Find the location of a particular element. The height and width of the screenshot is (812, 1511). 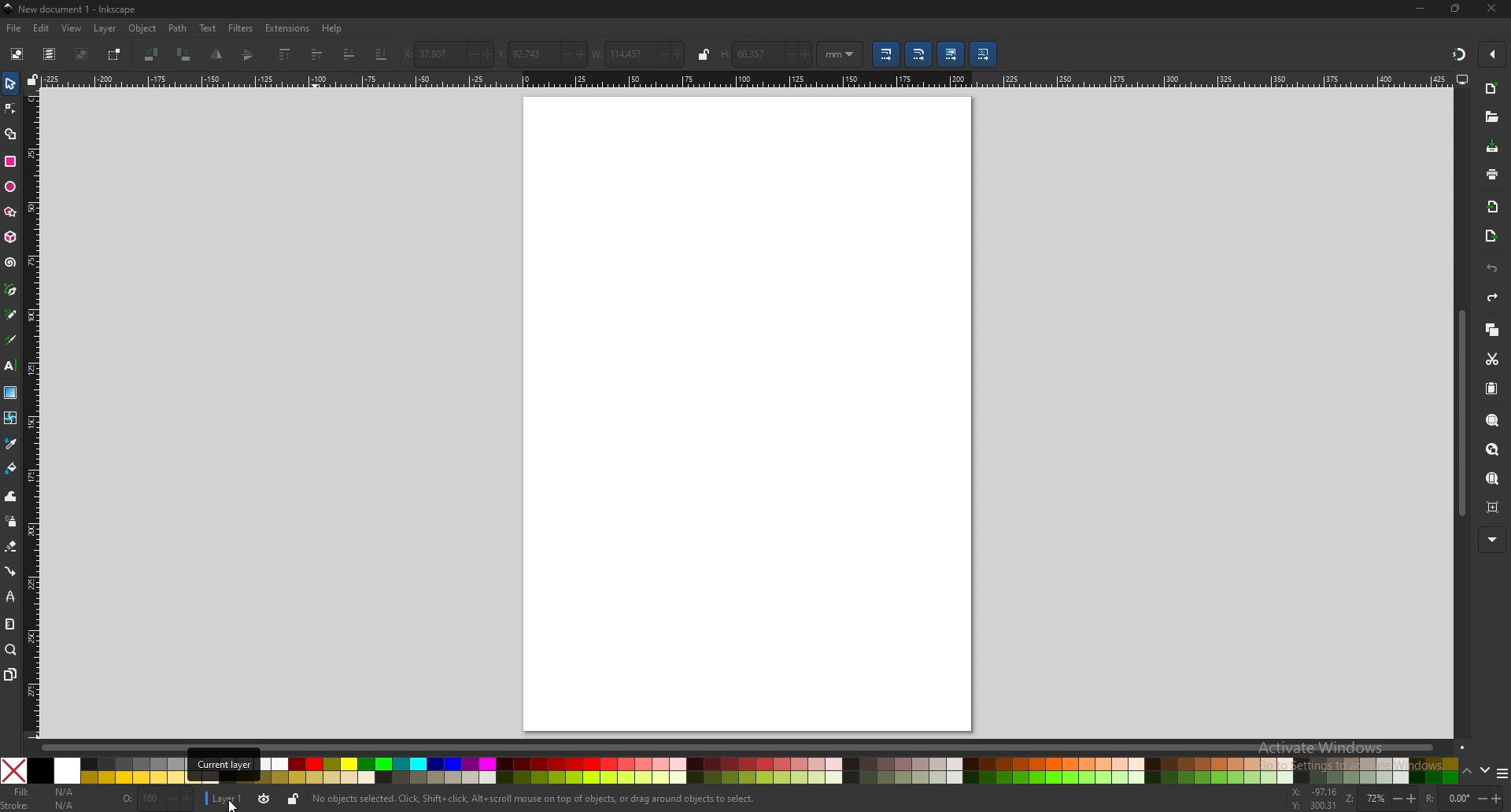

lower to bottom is located at coordinates (382, 54).